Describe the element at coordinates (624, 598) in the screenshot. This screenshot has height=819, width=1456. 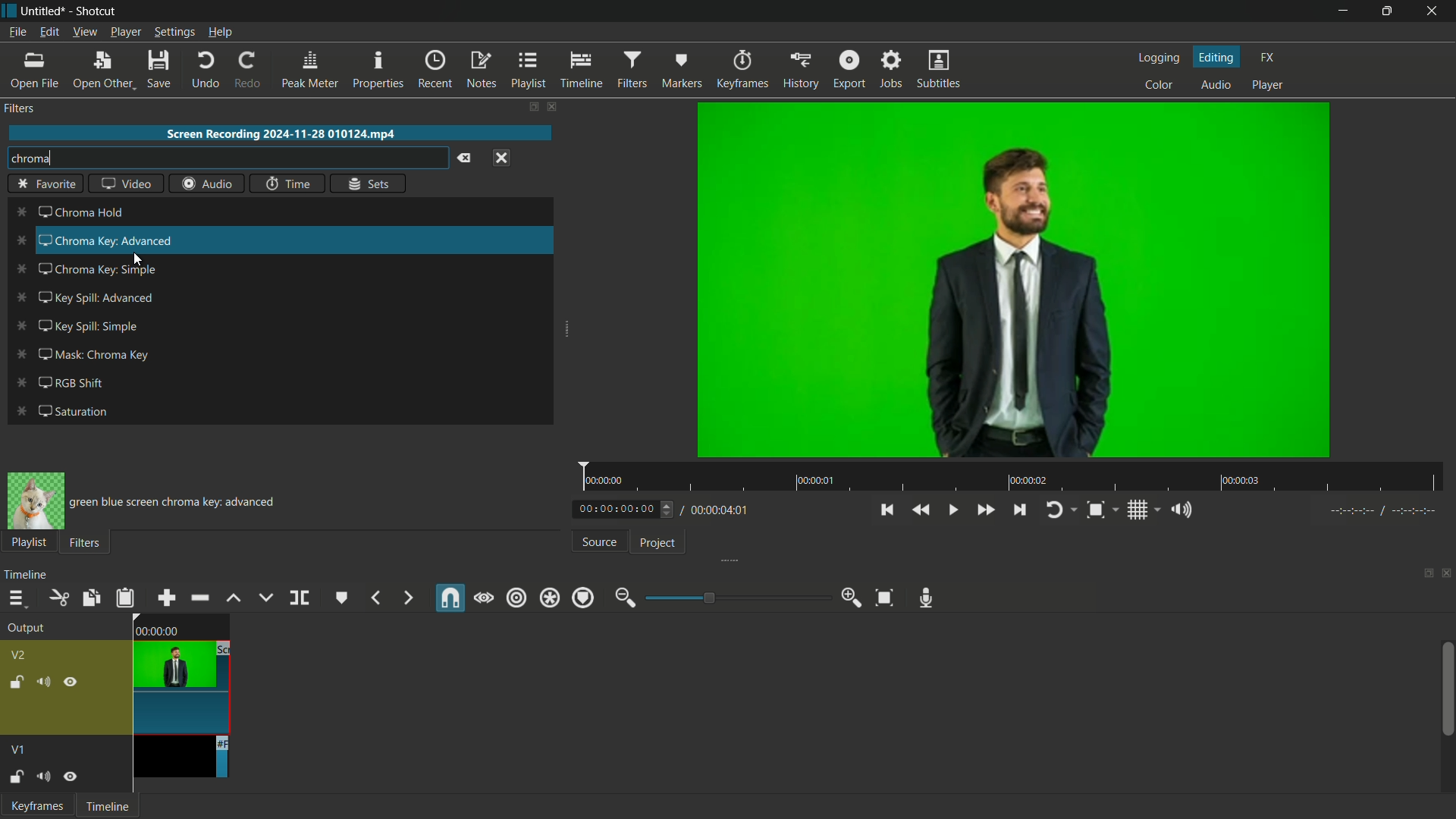
I see `zoom out` at that location.